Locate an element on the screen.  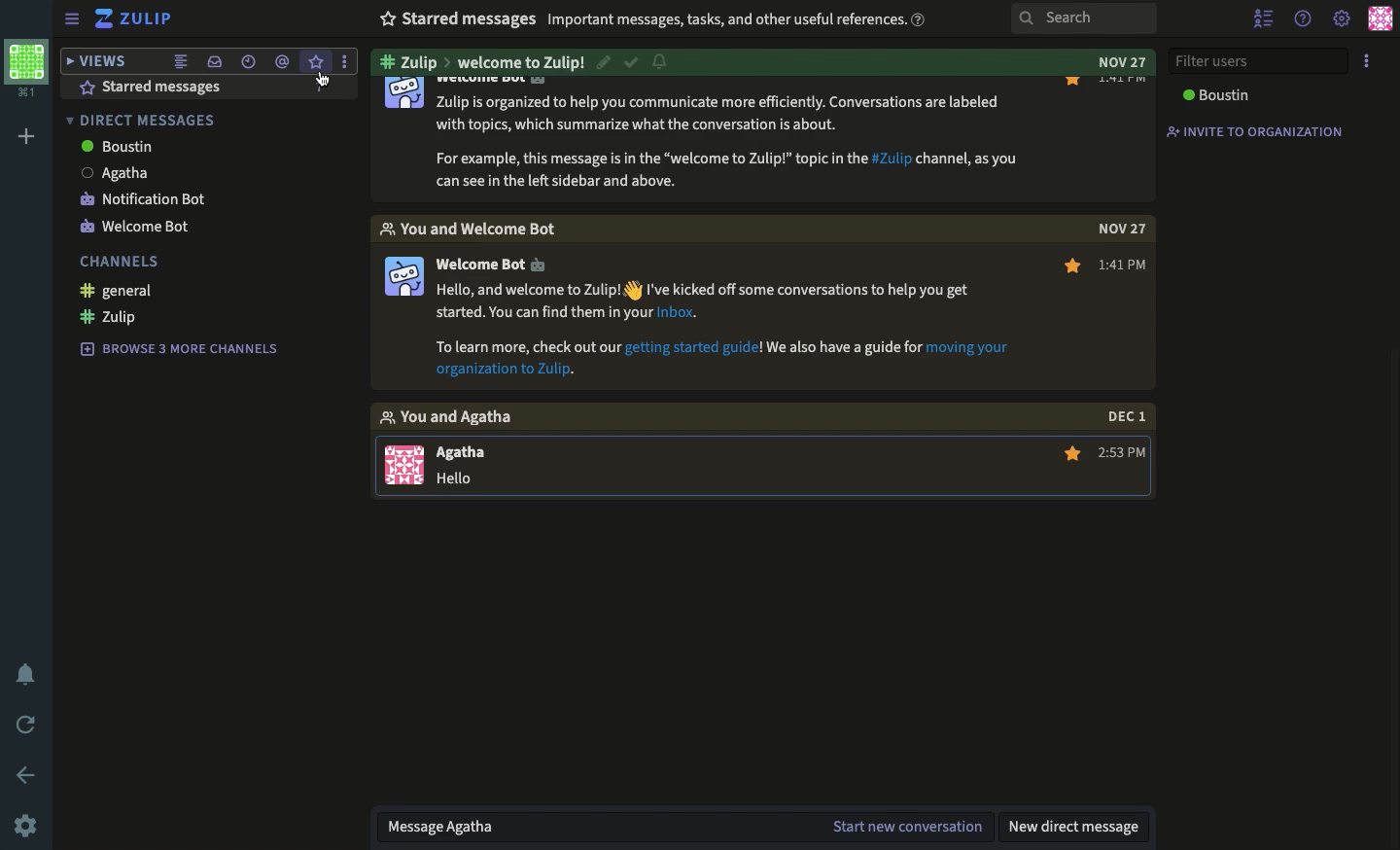
Yr Starred messages Important messages, tasks, and other useful references. is located at coordinates (649, 18).